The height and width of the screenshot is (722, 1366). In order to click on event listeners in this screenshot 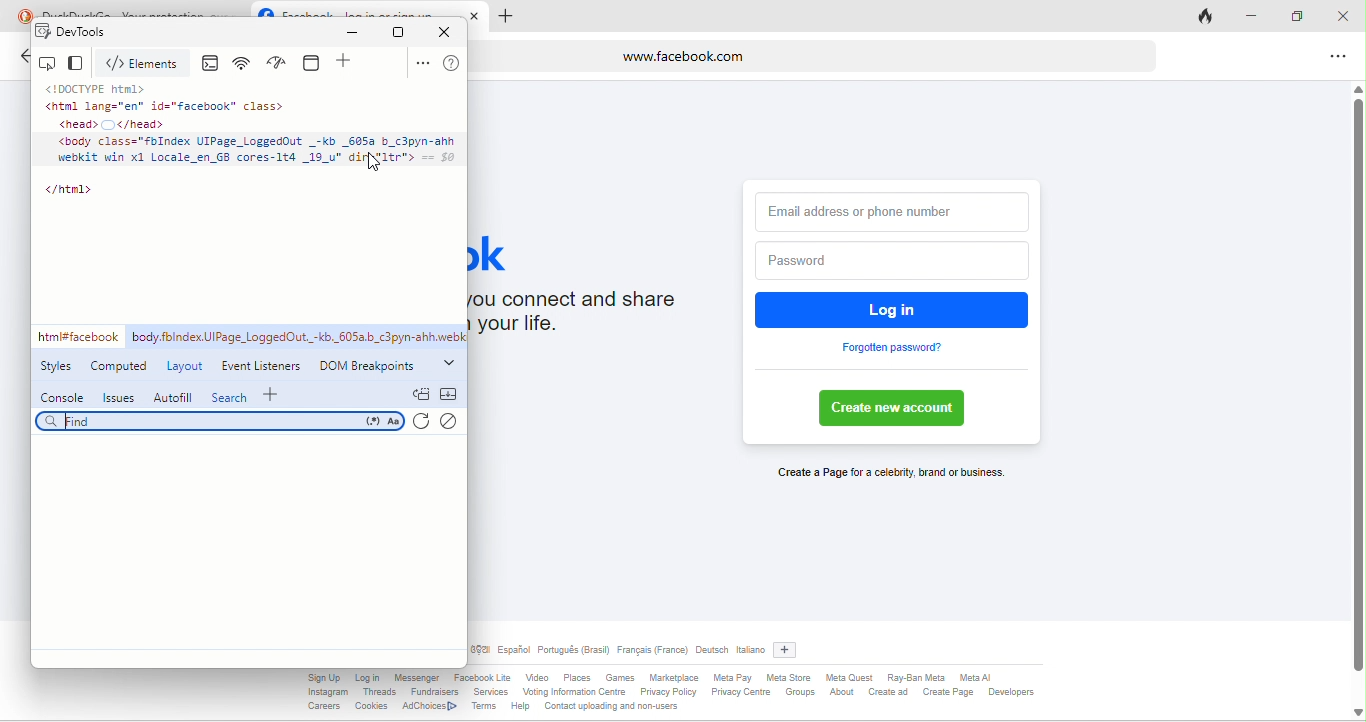, I will do `click(264, 363)`.